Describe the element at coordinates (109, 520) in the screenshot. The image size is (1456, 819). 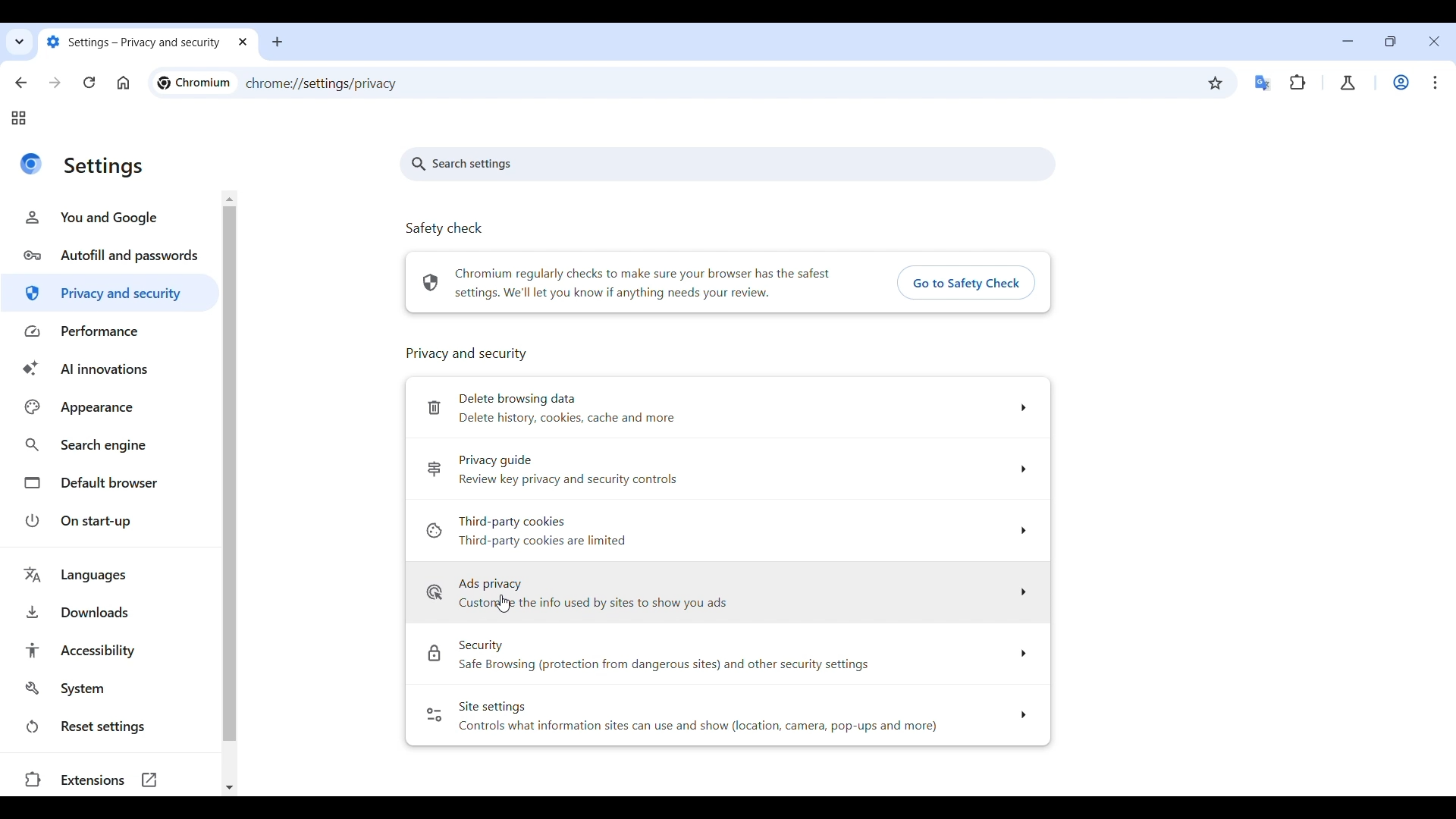
I see `On start-up` at that location.